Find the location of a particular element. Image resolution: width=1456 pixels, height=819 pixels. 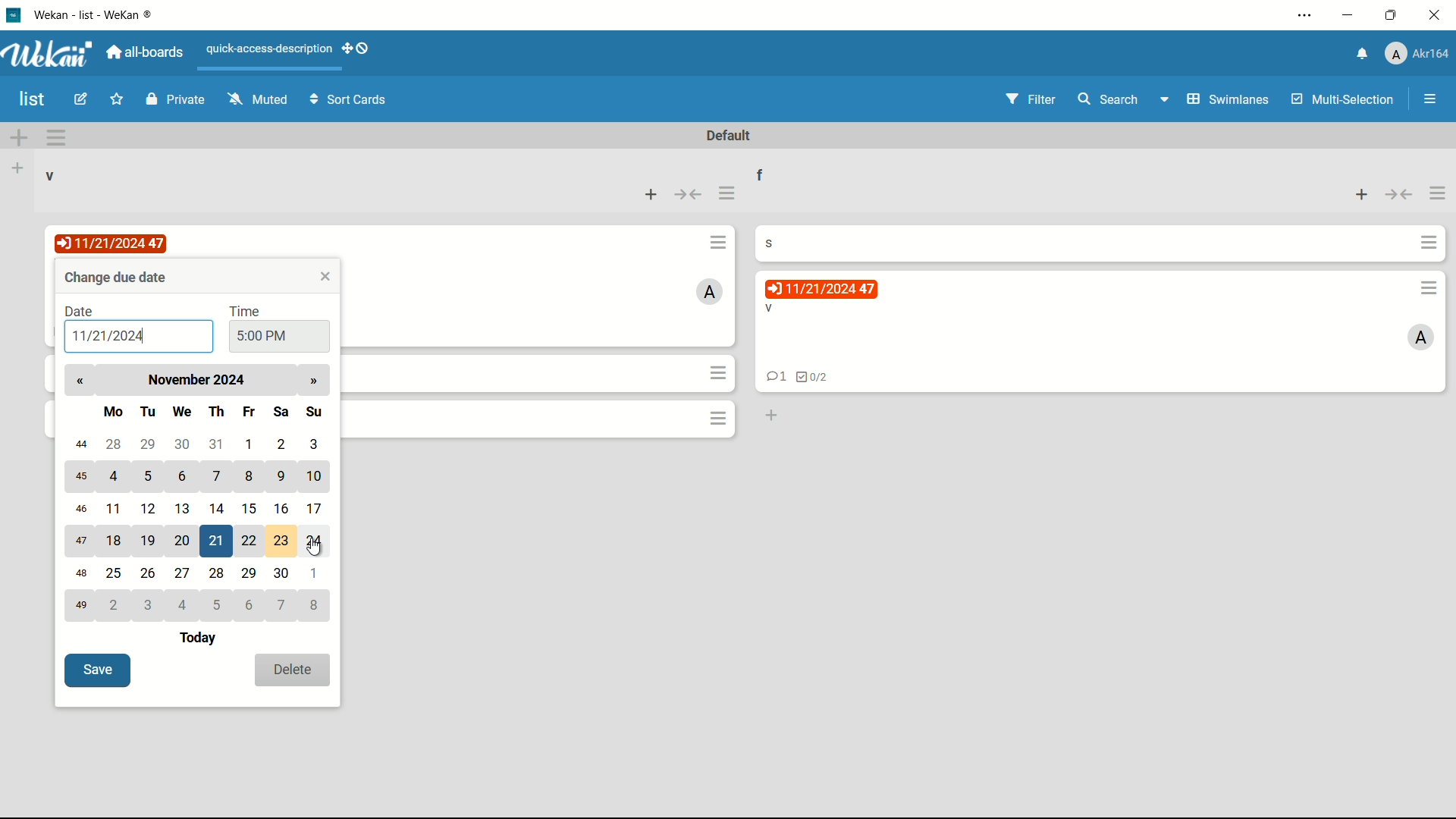

7 is located at coordinates (283, 606).